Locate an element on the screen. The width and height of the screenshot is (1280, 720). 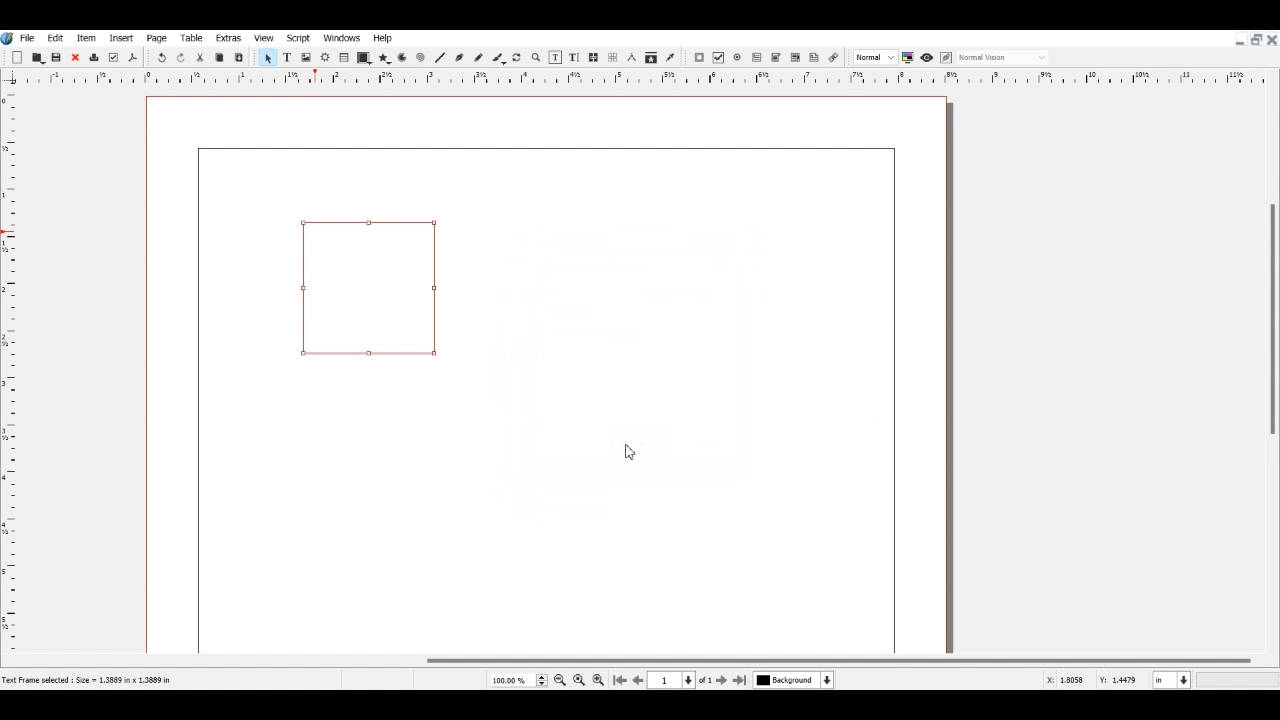
Delete is located at coordinates (93, 58).